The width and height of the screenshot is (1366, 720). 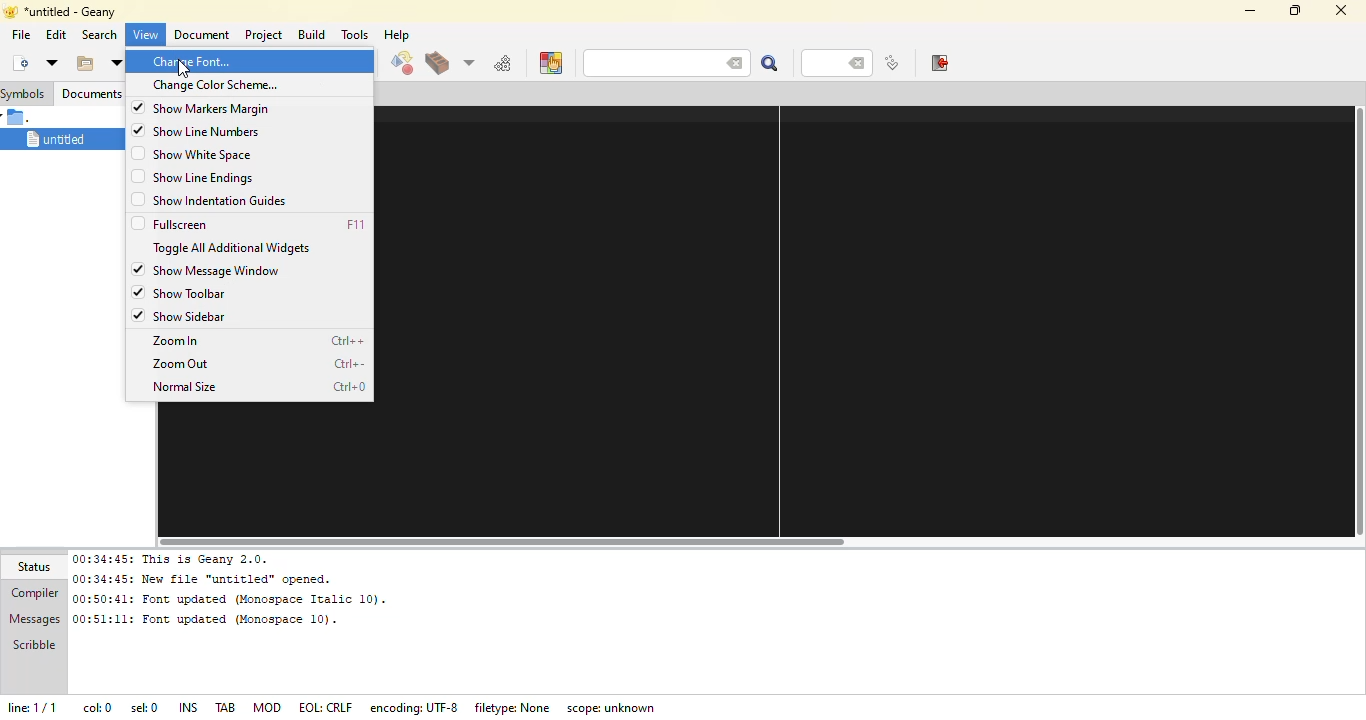 What do you see at coordinates (188, 706) in the screenshot?
I see `ins` at bounding box center [188, 706].